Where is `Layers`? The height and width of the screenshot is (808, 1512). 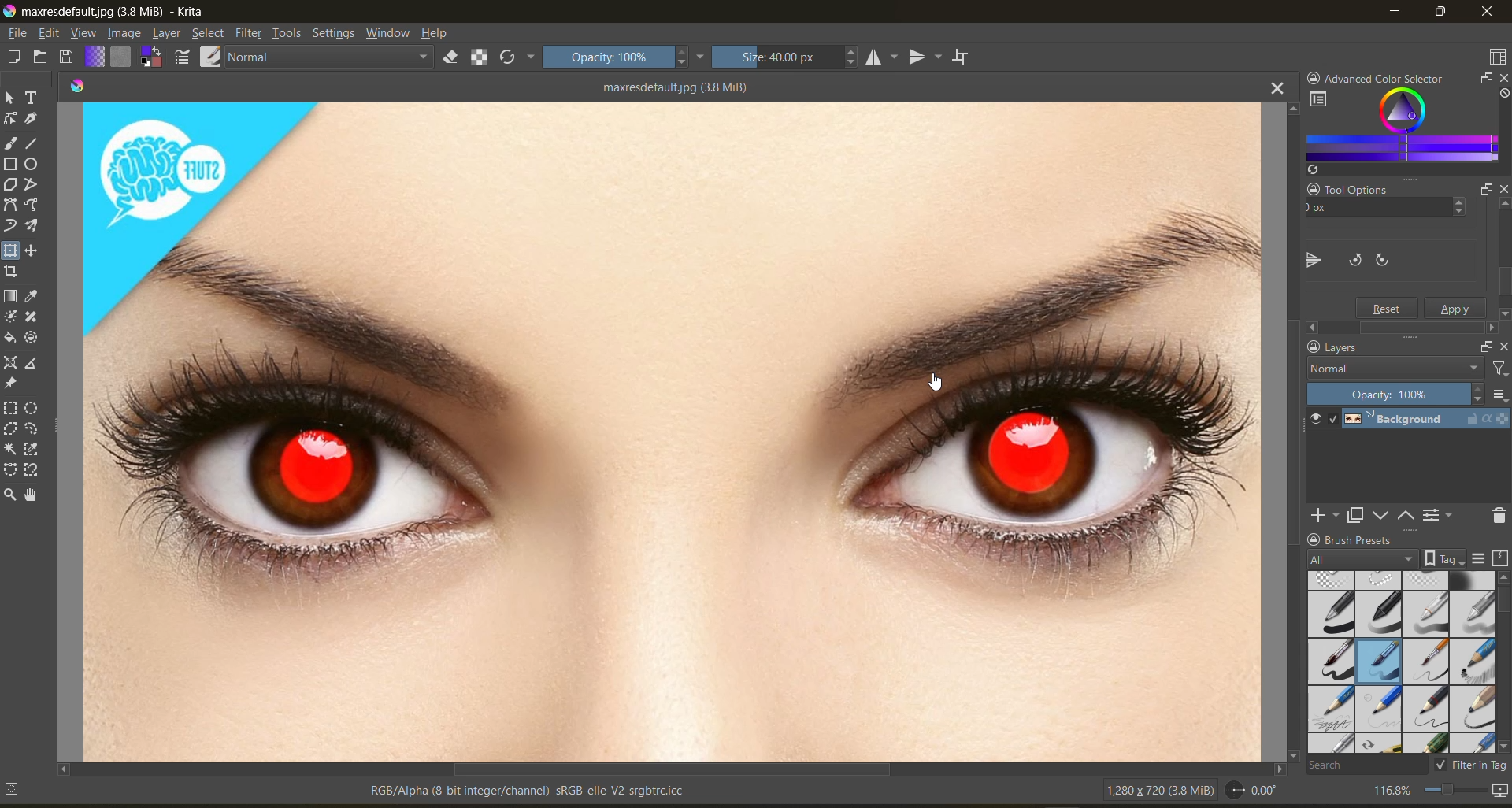
Layers is located at coordinates (1372, 348).